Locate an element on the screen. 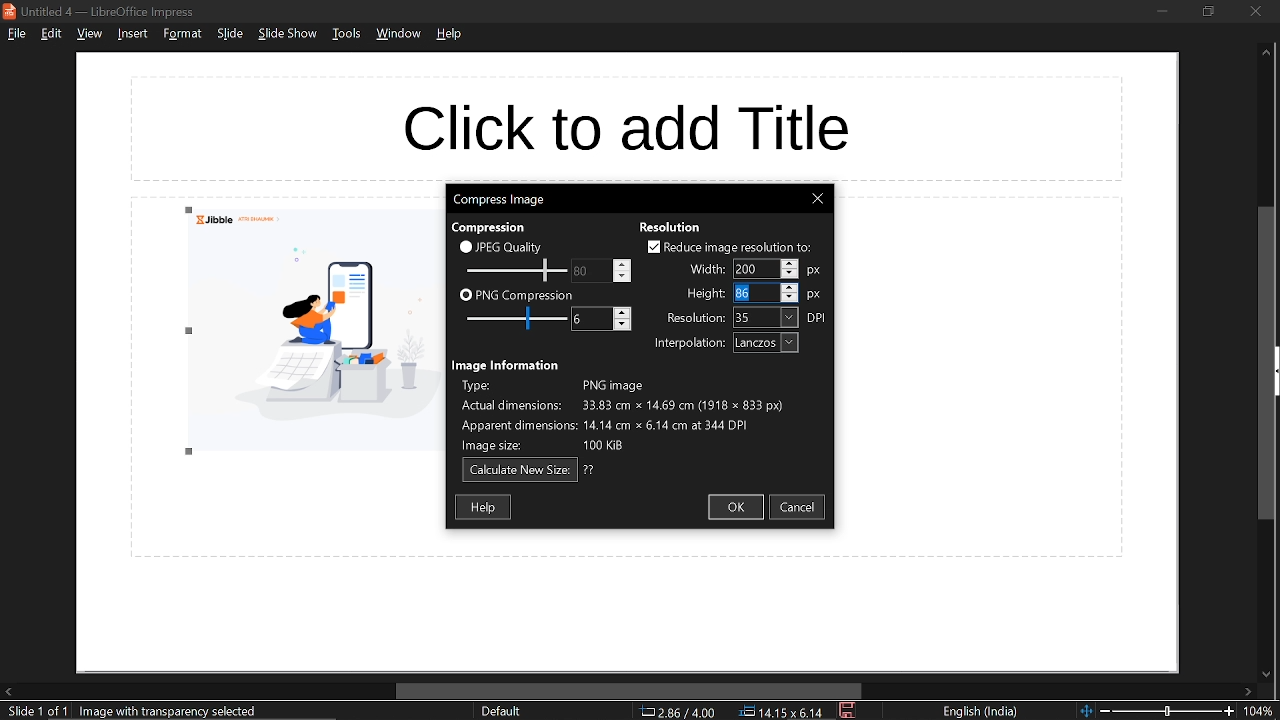 This screenshot has width=1280, height=720. vertical scrollbar is located at coordinates (1268, 364).